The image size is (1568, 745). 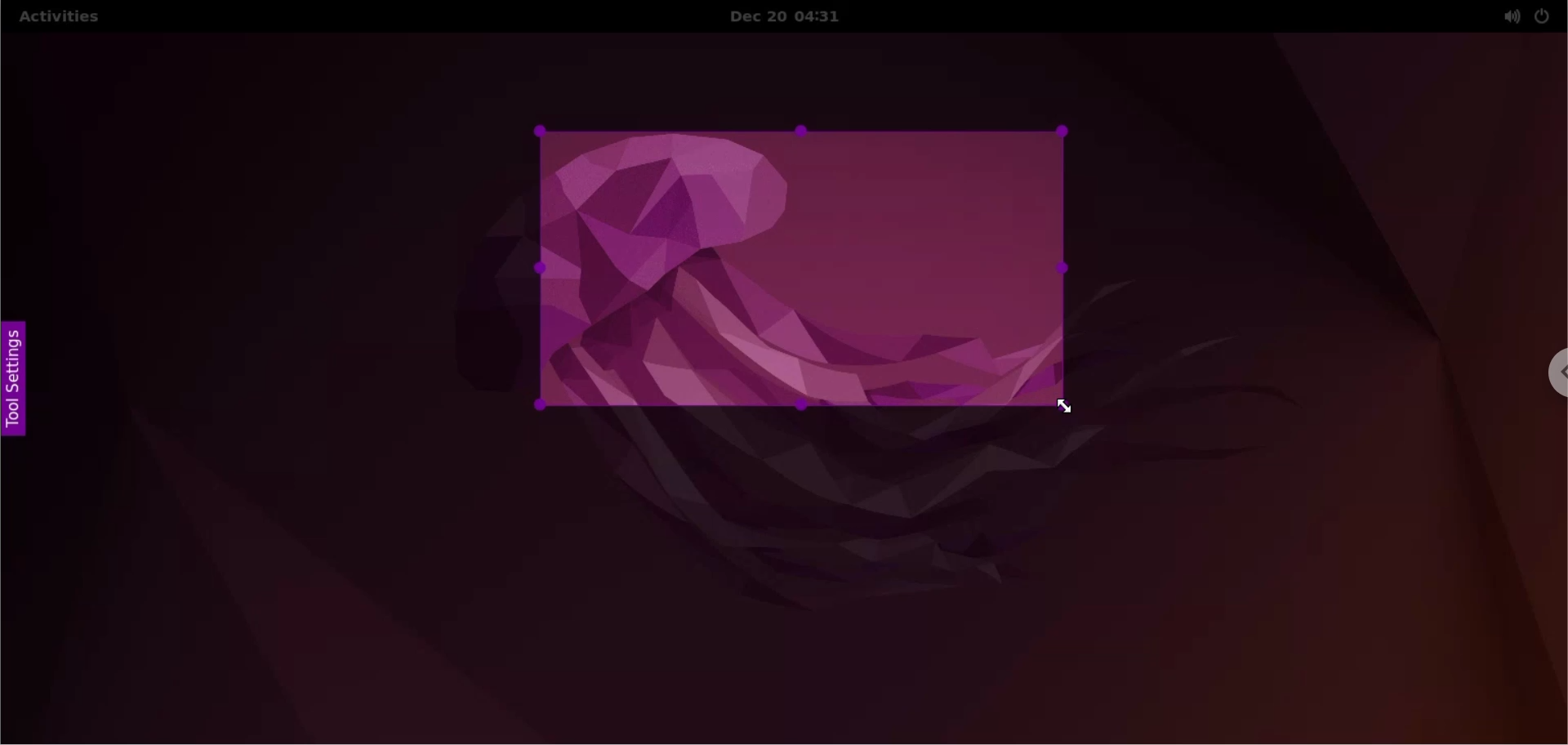 What do you see at coordinates (16, 386) in the screenshot?
I see `tool settings` at bounding box center [16, 386].